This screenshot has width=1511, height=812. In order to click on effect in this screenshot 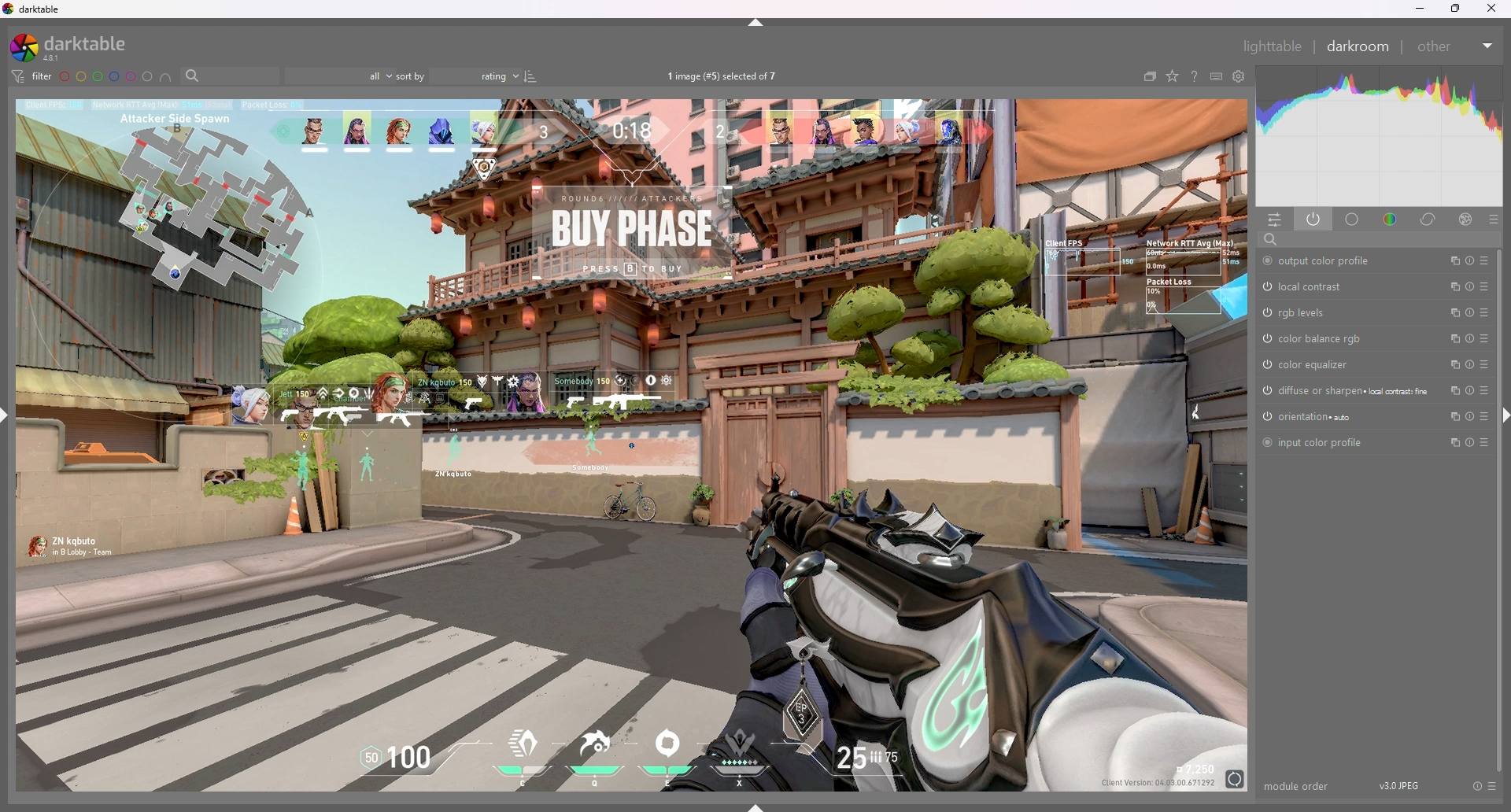, I will do `click(1466, 219)`.